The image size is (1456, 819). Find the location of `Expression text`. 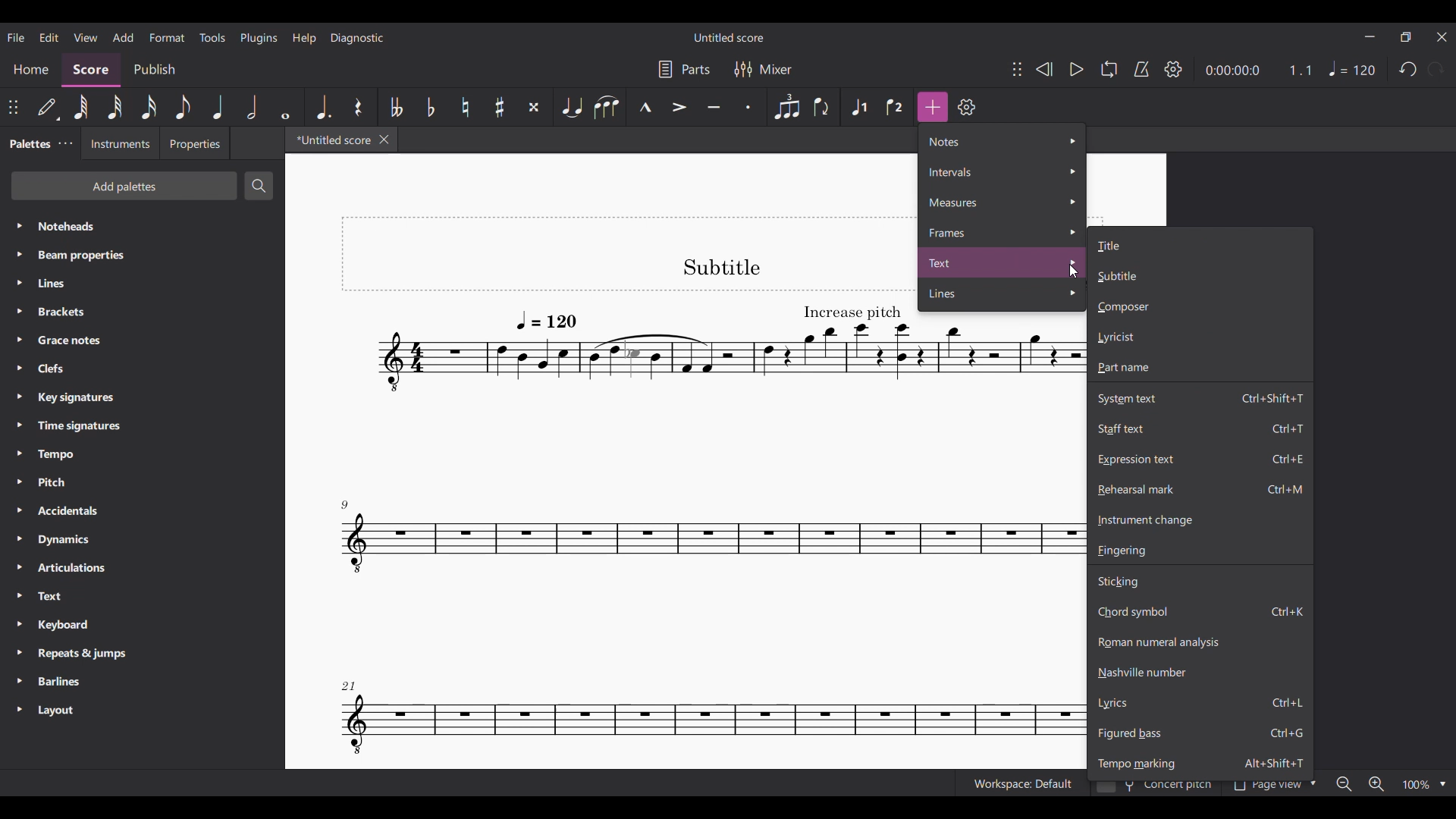

Expression text is located at coordinates (1200, 460).